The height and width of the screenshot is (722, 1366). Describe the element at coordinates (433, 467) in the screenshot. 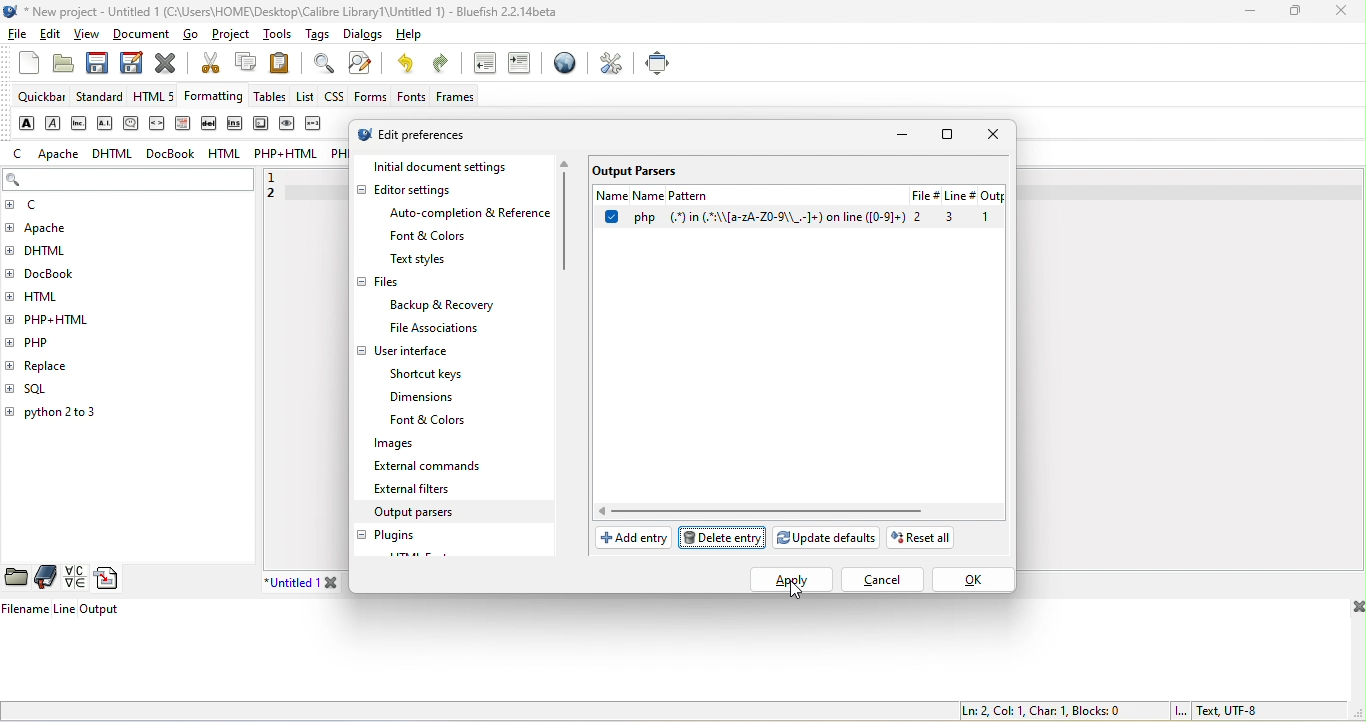

I see `external commands` at that location.